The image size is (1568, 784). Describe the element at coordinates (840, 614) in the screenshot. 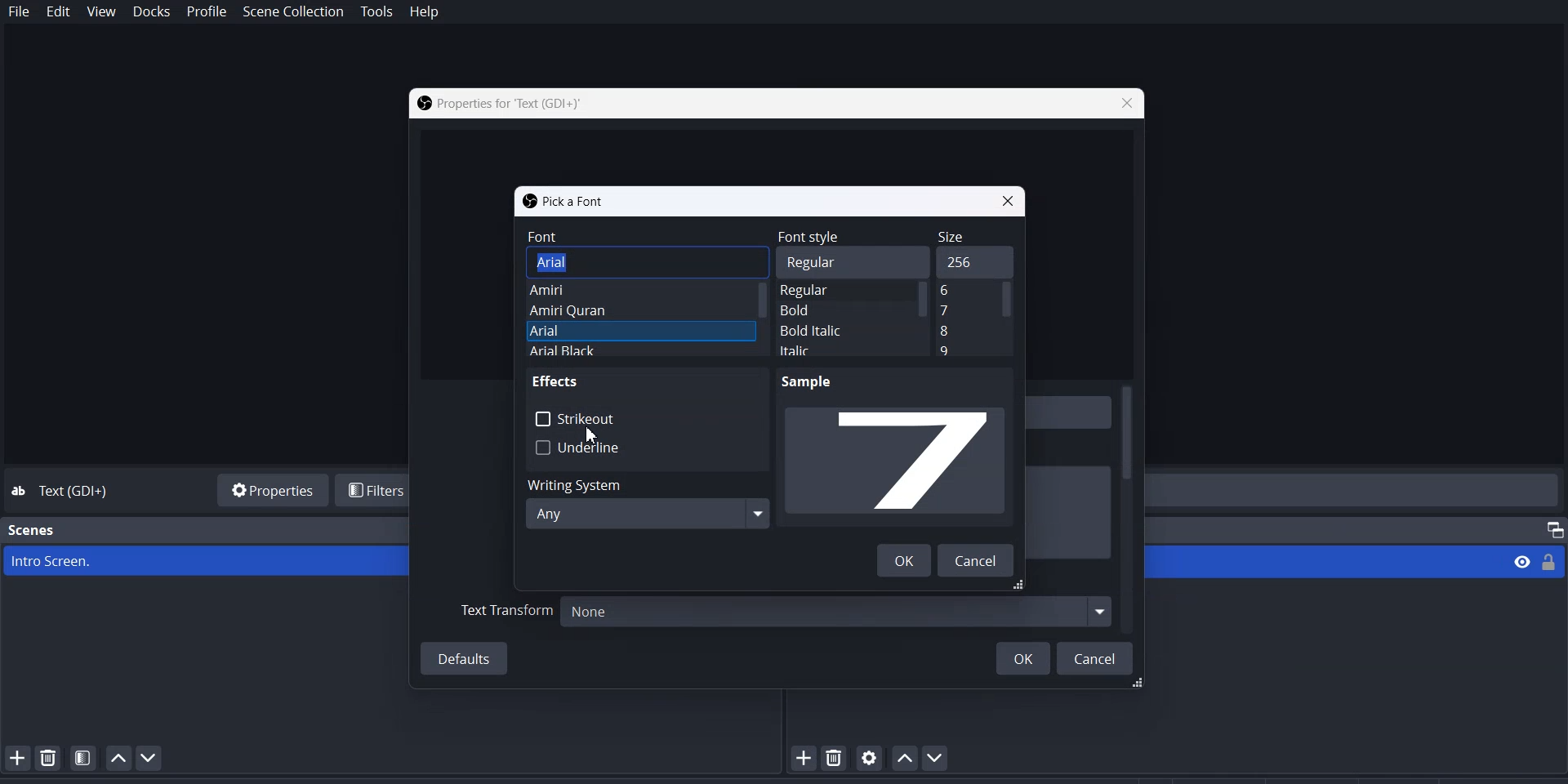

I see `None` at that location.